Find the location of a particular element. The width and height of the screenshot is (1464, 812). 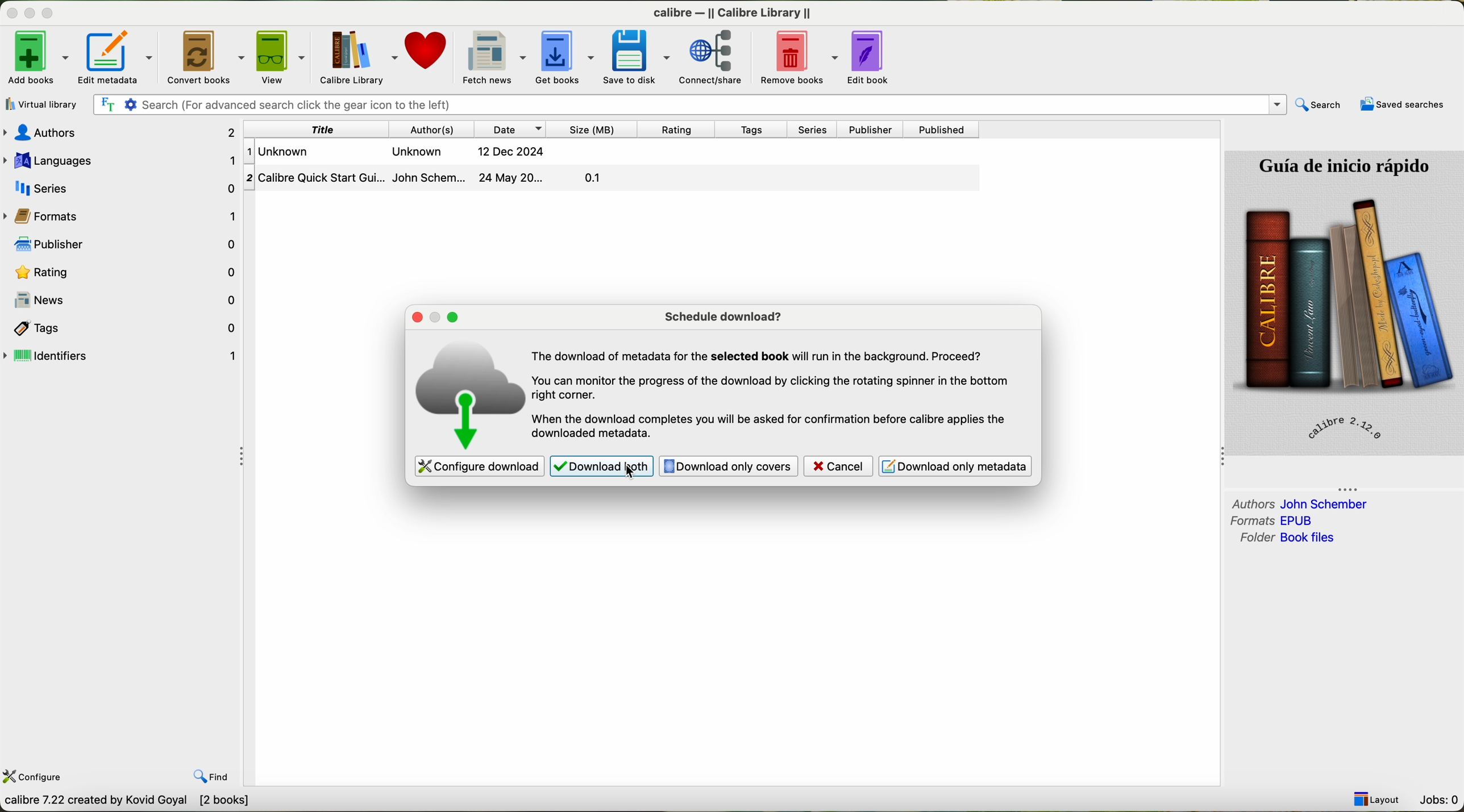

book is located at coordinates (443, 152).